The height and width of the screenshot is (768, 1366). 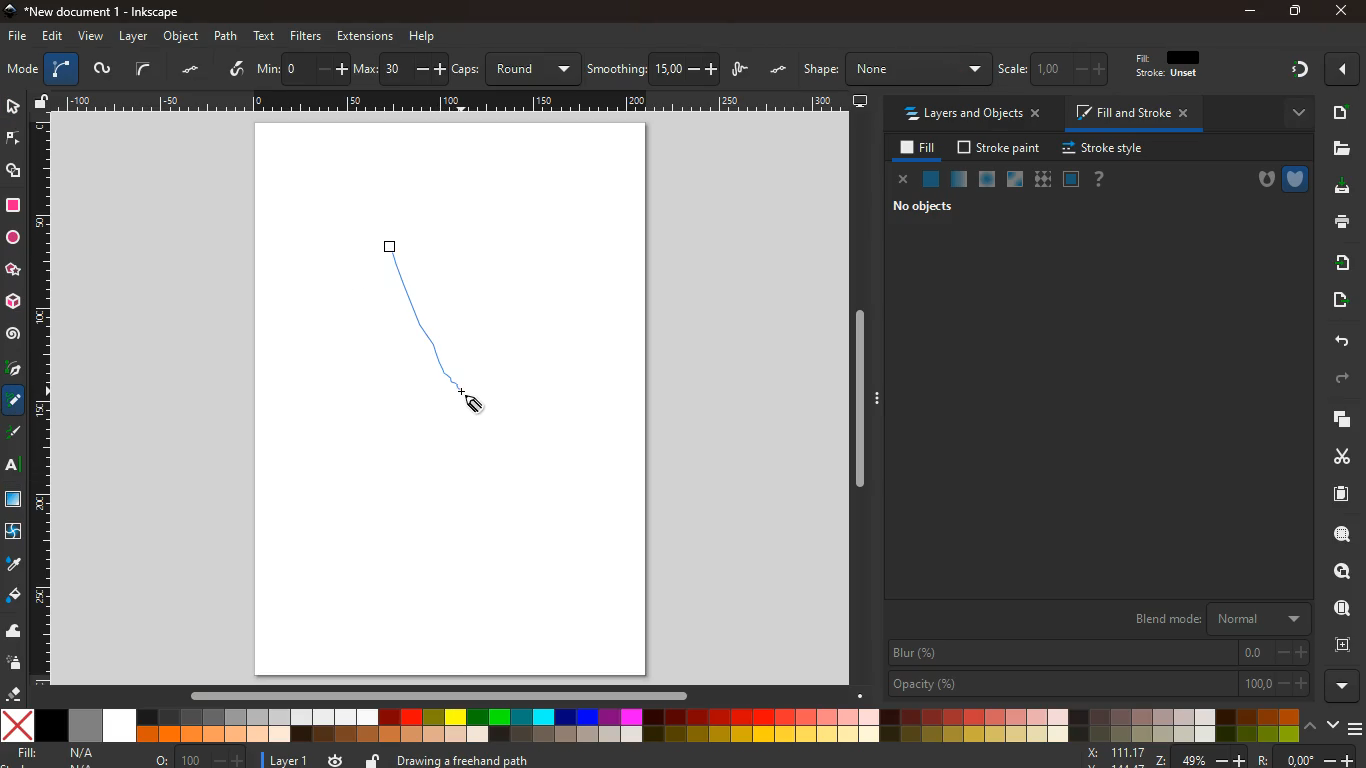 What do you see at coordinates (306, 36) in the screenshot?
I see `filters` at bounding box center [306, 36].